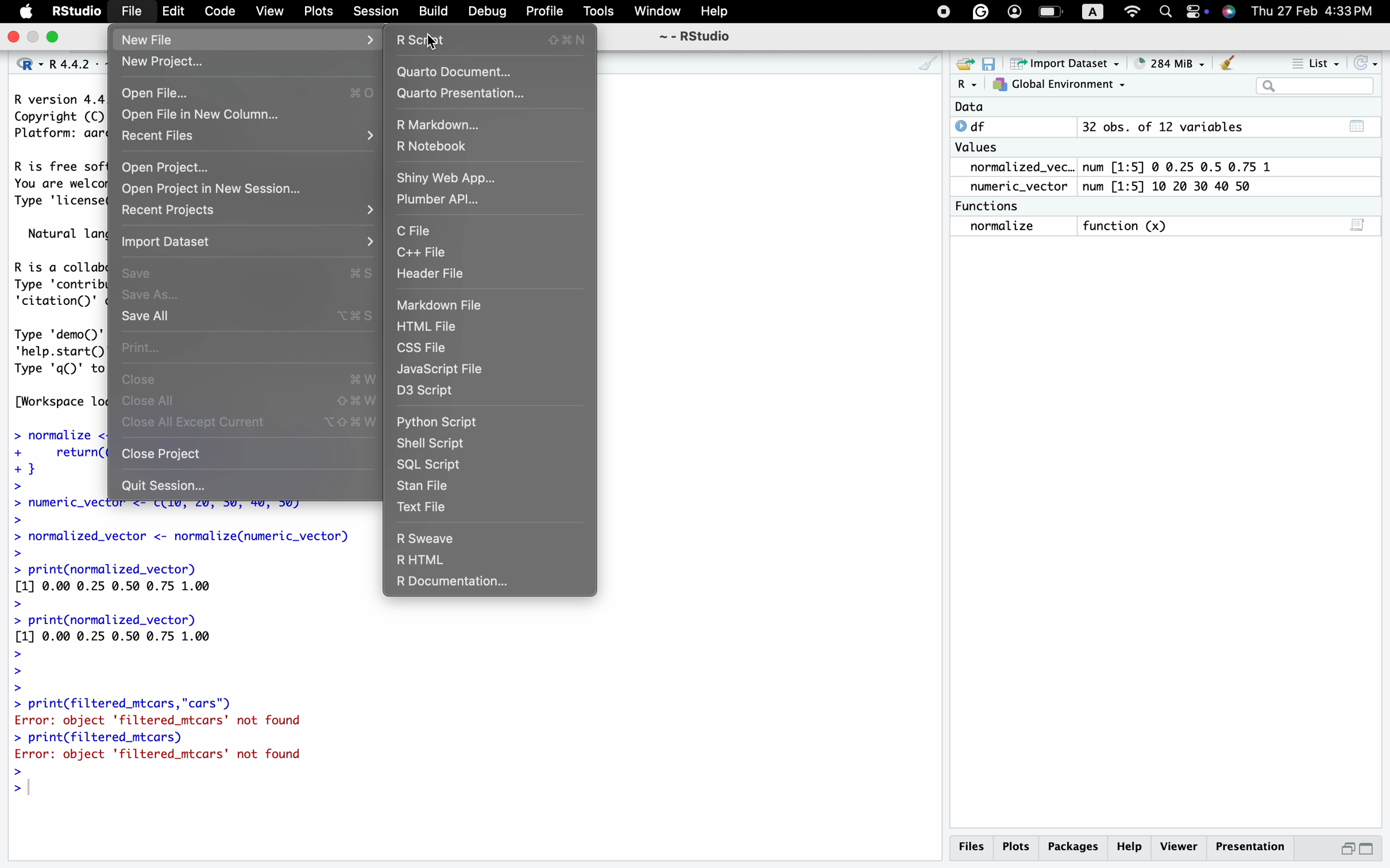 The width and height of the screenshot is (1390, 868). Describe the element at coordinates (207, 188) in the screenshot. I see `Open Project in New Session...` at that location.